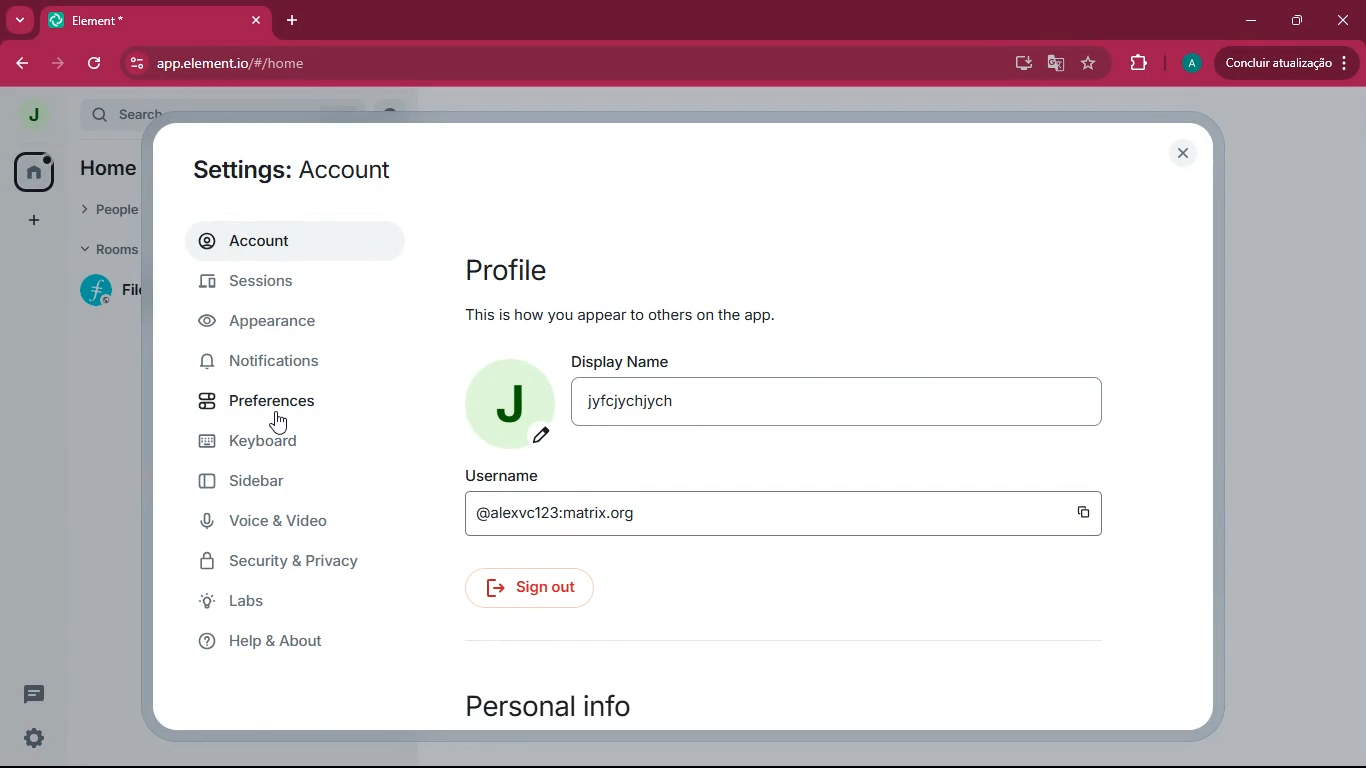 This screenshot has height=768, width=1366. What do you see at coordinates (254, 480) in the screenshot?
I see `Sidebar` at bounding box center [254, 480].